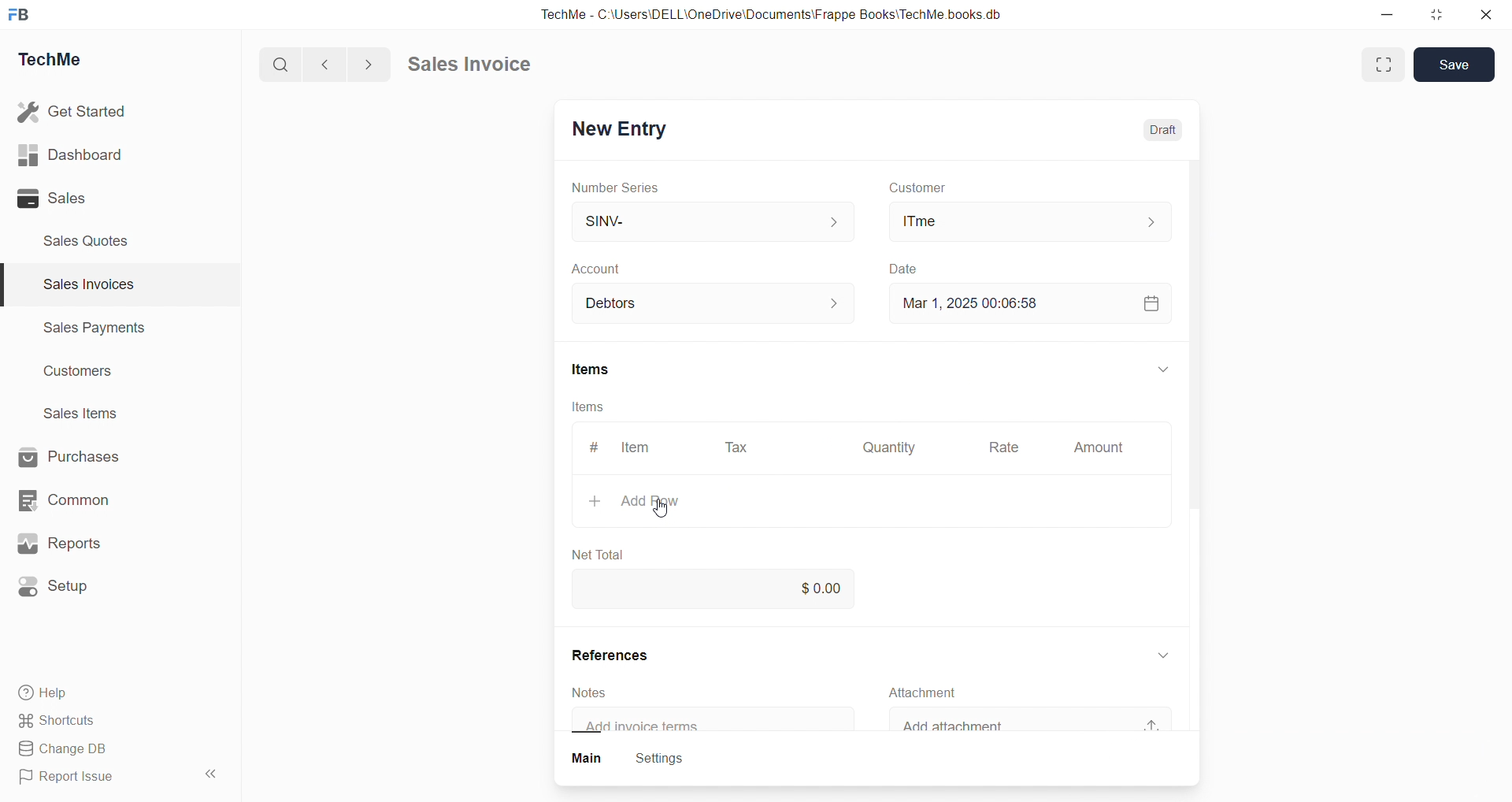 This screenshot has width=1512, height=802. I want to click on Rate, so click(1007, 449).